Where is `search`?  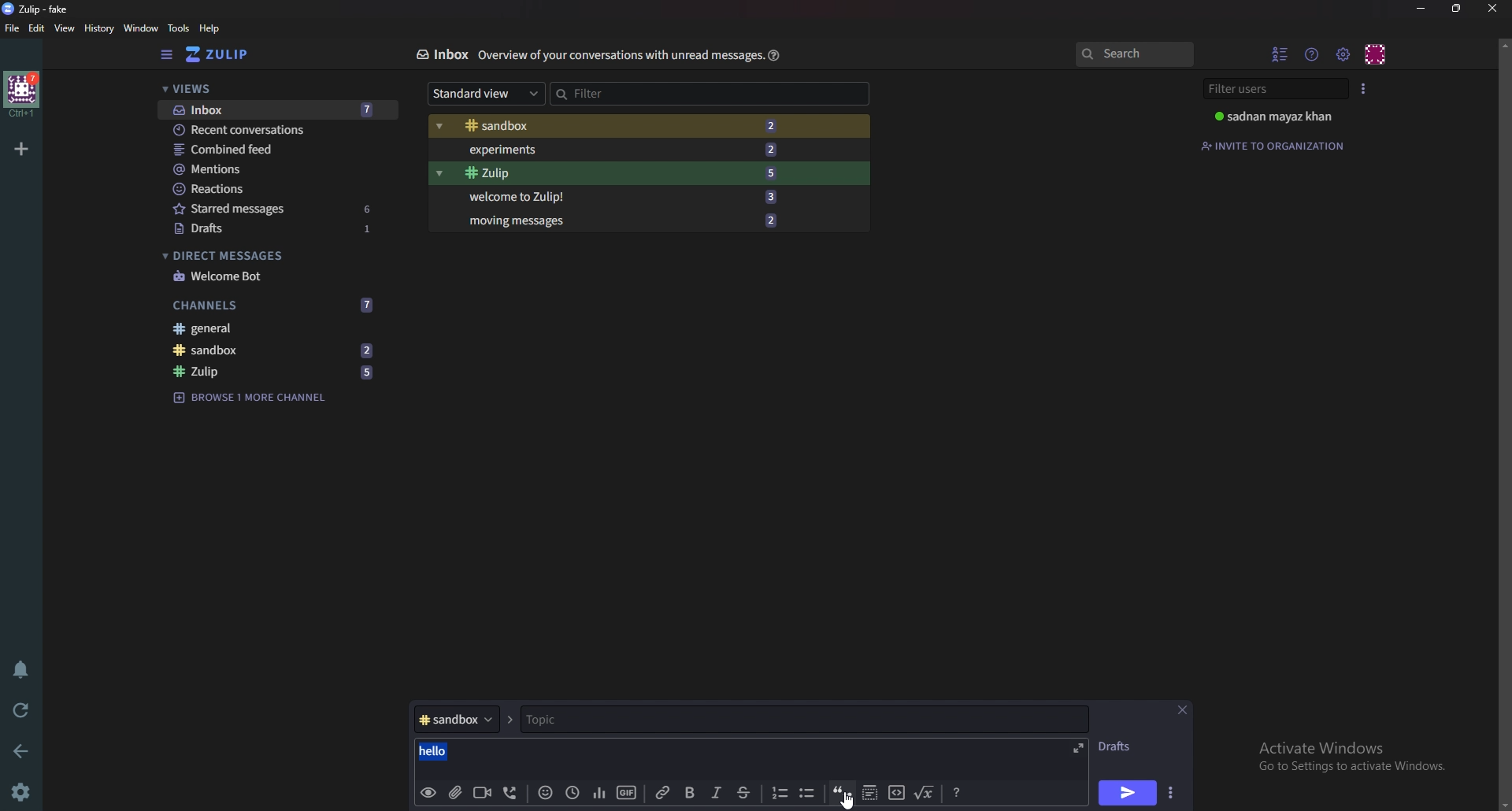 search is located at coordinates (1135, 55).